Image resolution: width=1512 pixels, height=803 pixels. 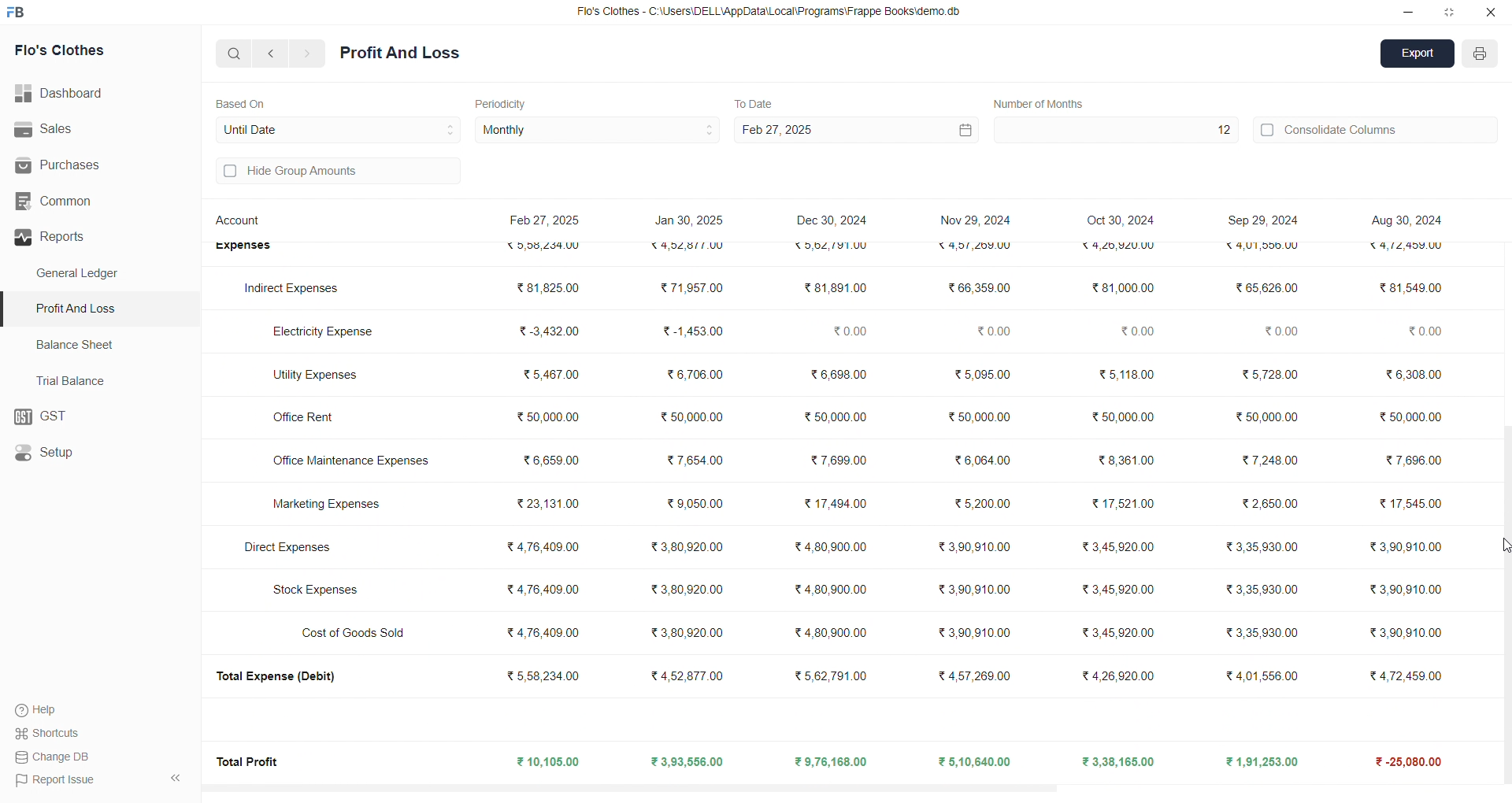 I want to click on Periodicity, so click(x=504, y=102).